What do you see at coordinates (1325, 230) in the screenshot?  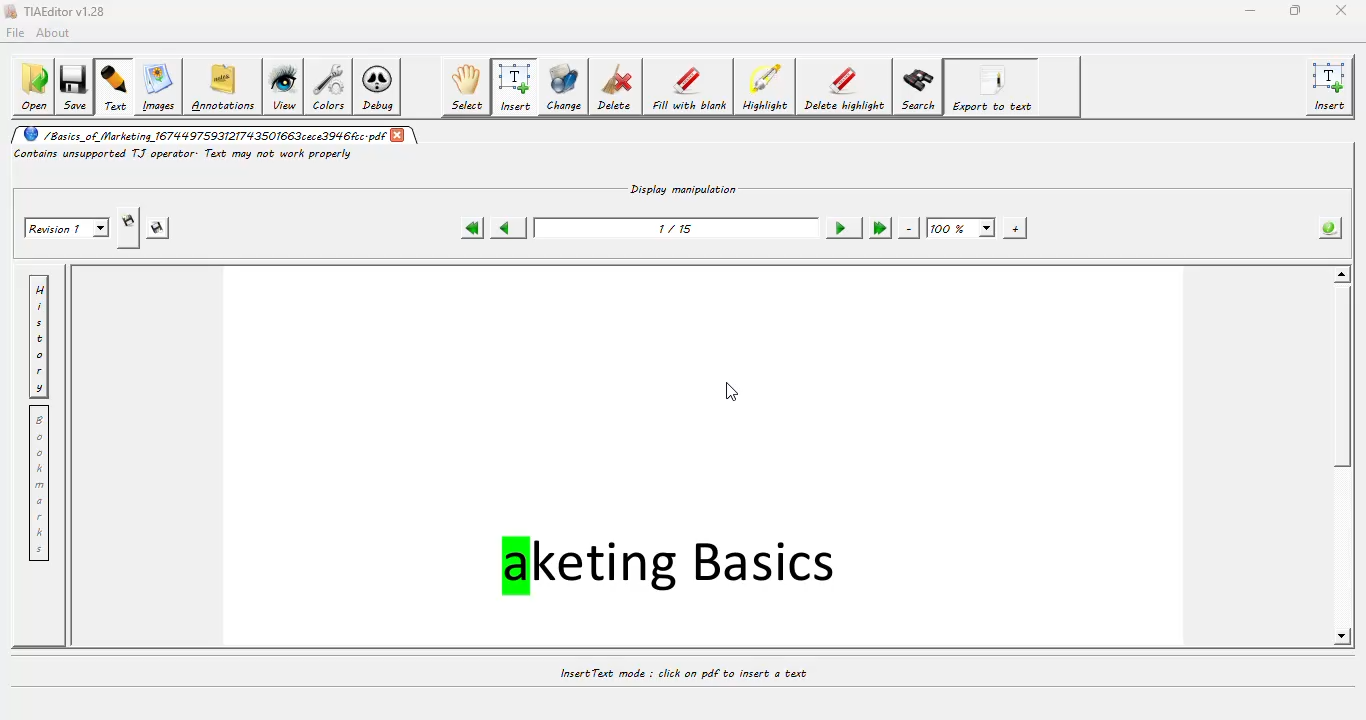 I see `info about the pdf` at bounding box center [1325, 230].